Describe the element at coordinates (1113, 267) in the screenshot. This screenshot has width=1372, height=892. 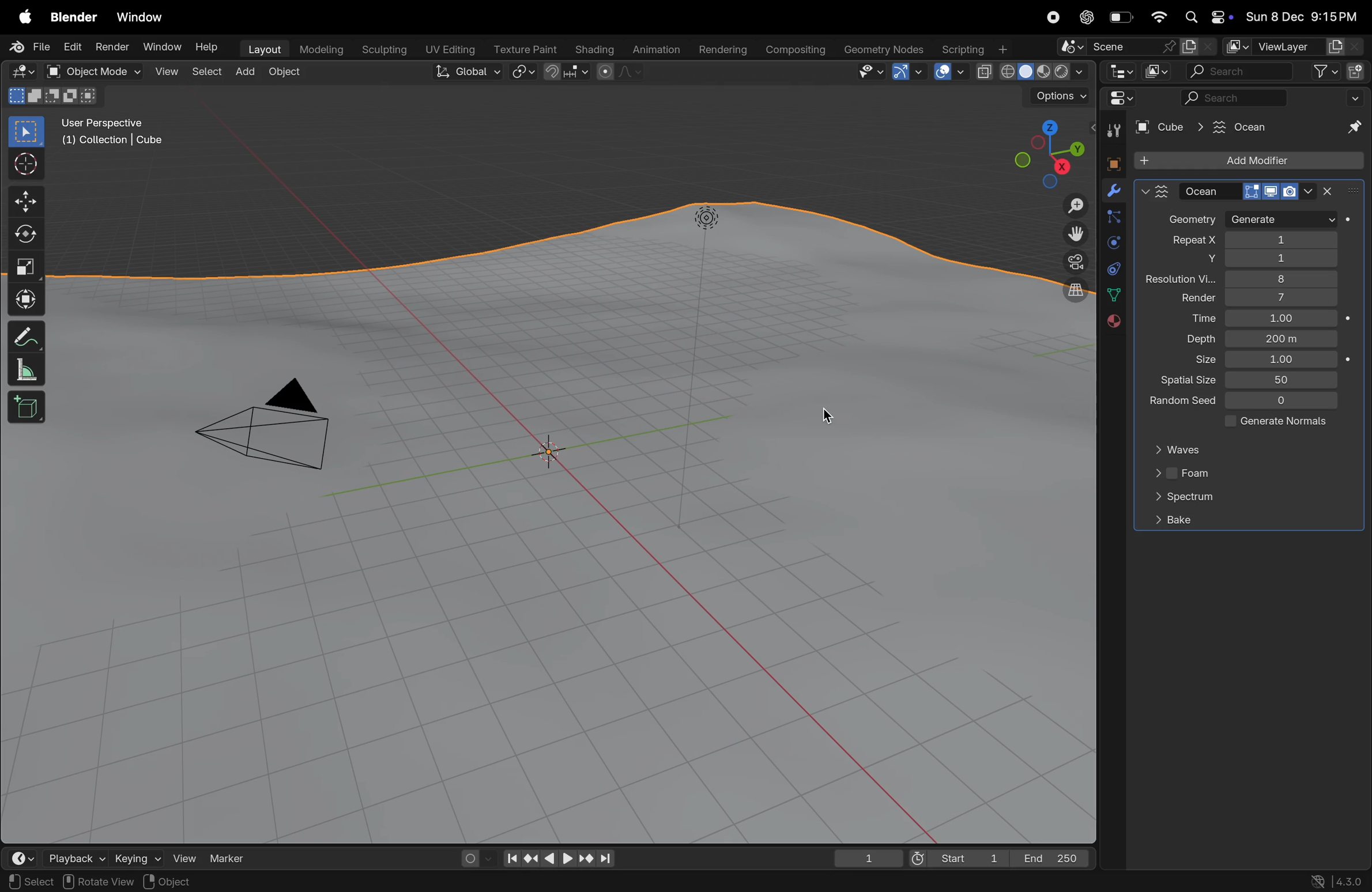
I see `constraints` at that location.